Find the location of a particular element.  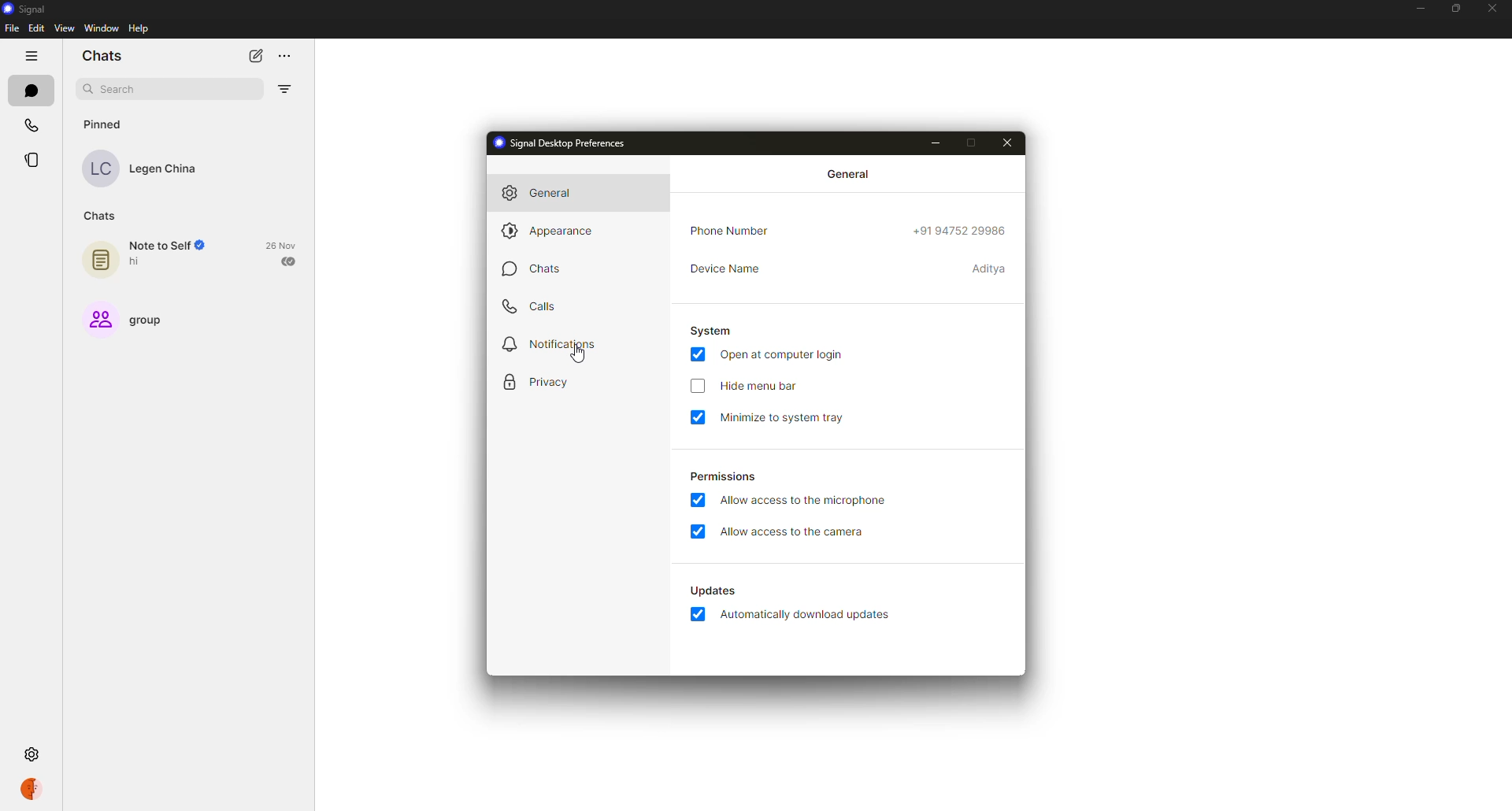

enabled is located at coordinates (699, 418).